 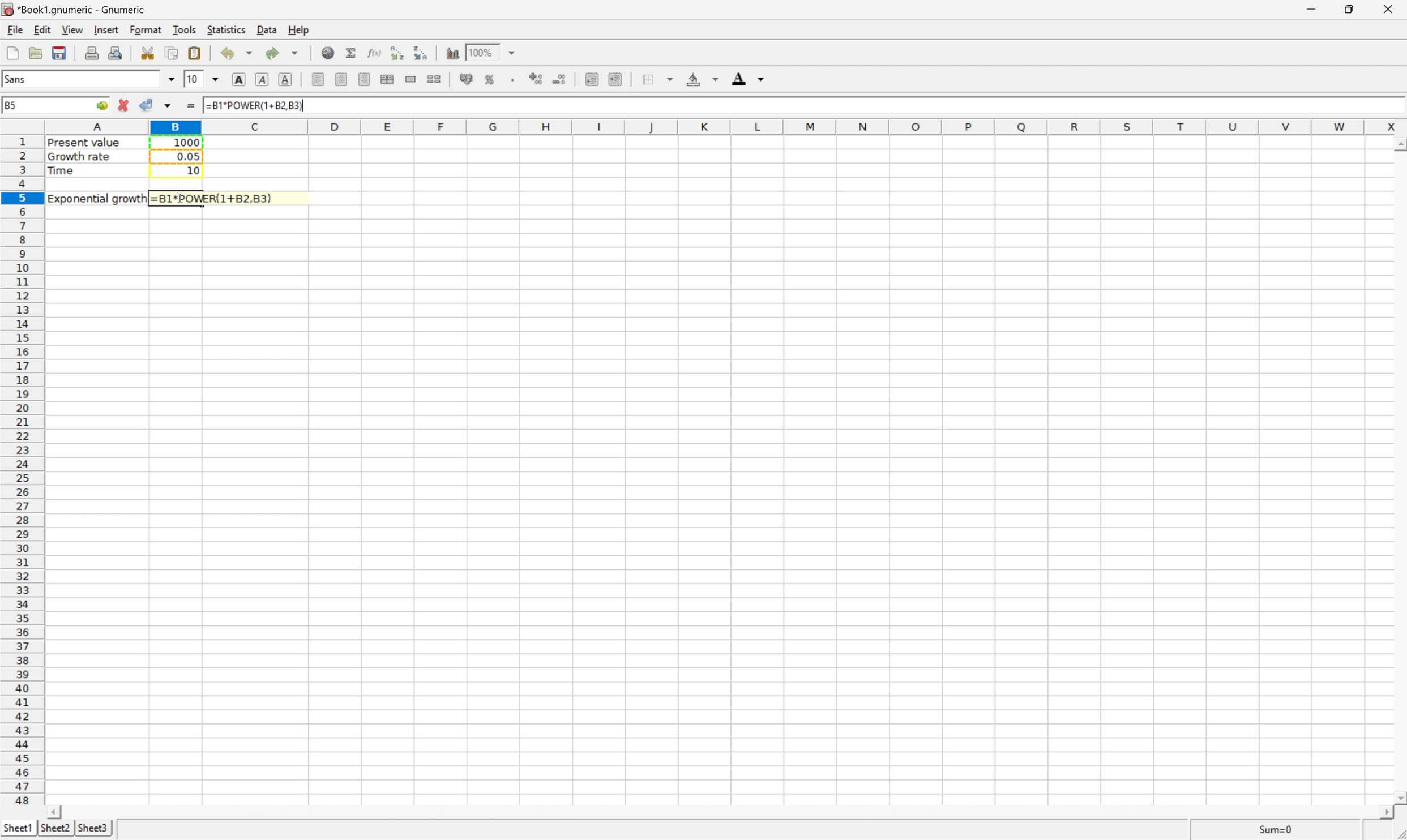 I want to click on Close, so click(x=1386, y=10).